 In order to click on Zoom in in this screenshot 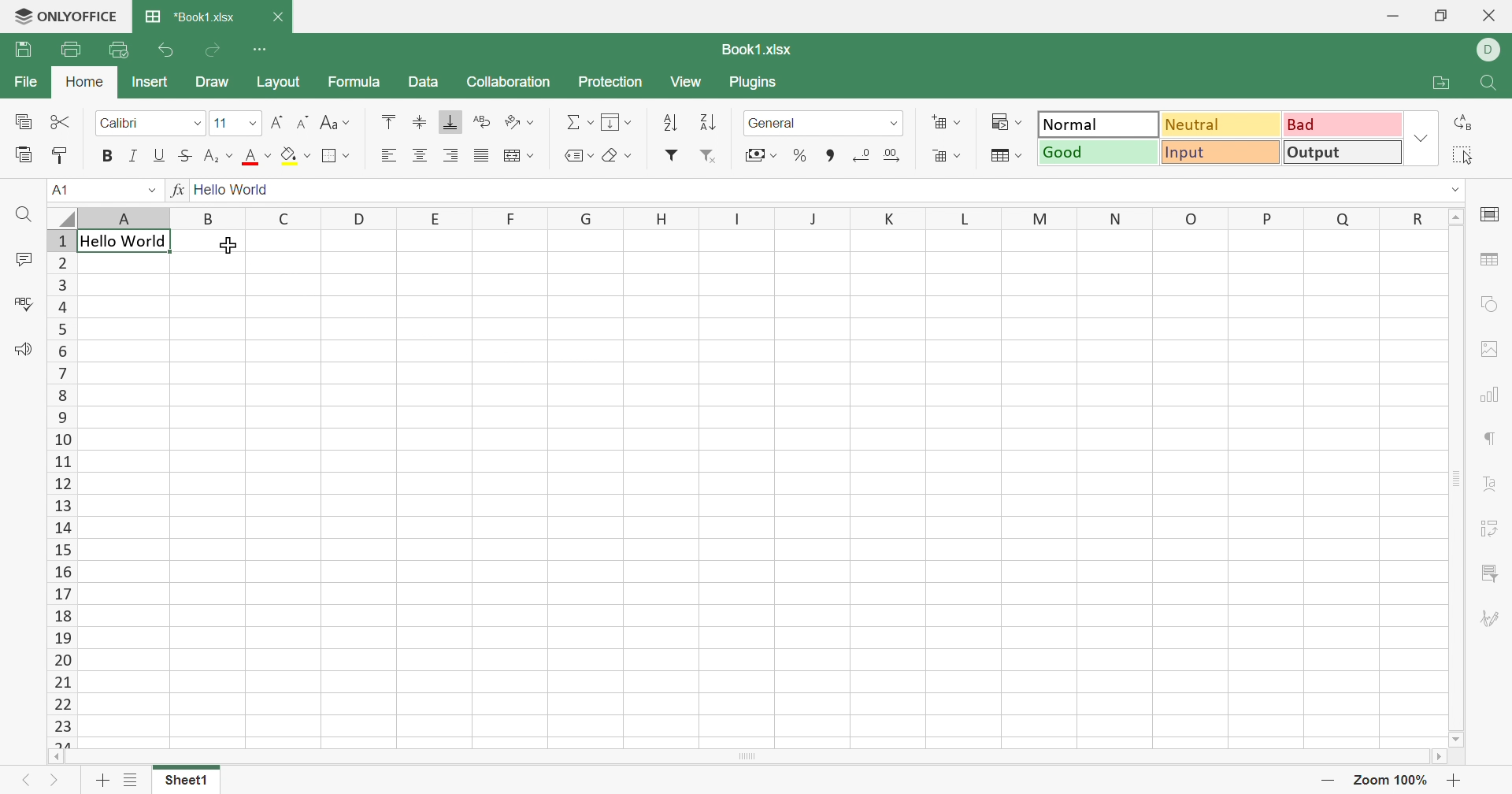, I will do `click(1455, 783)`.